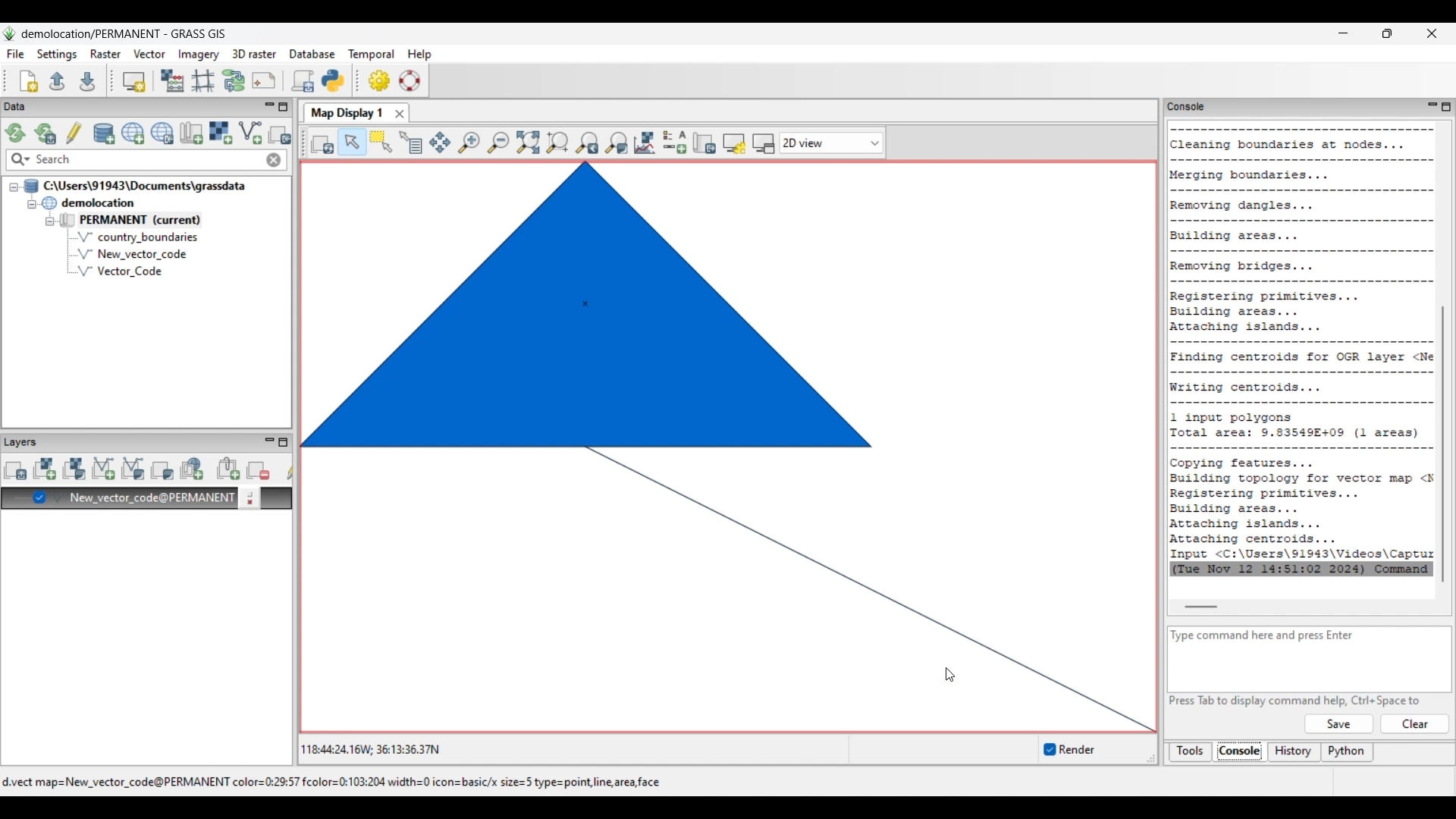  I want to click on Select another import option, so click(279, 134).